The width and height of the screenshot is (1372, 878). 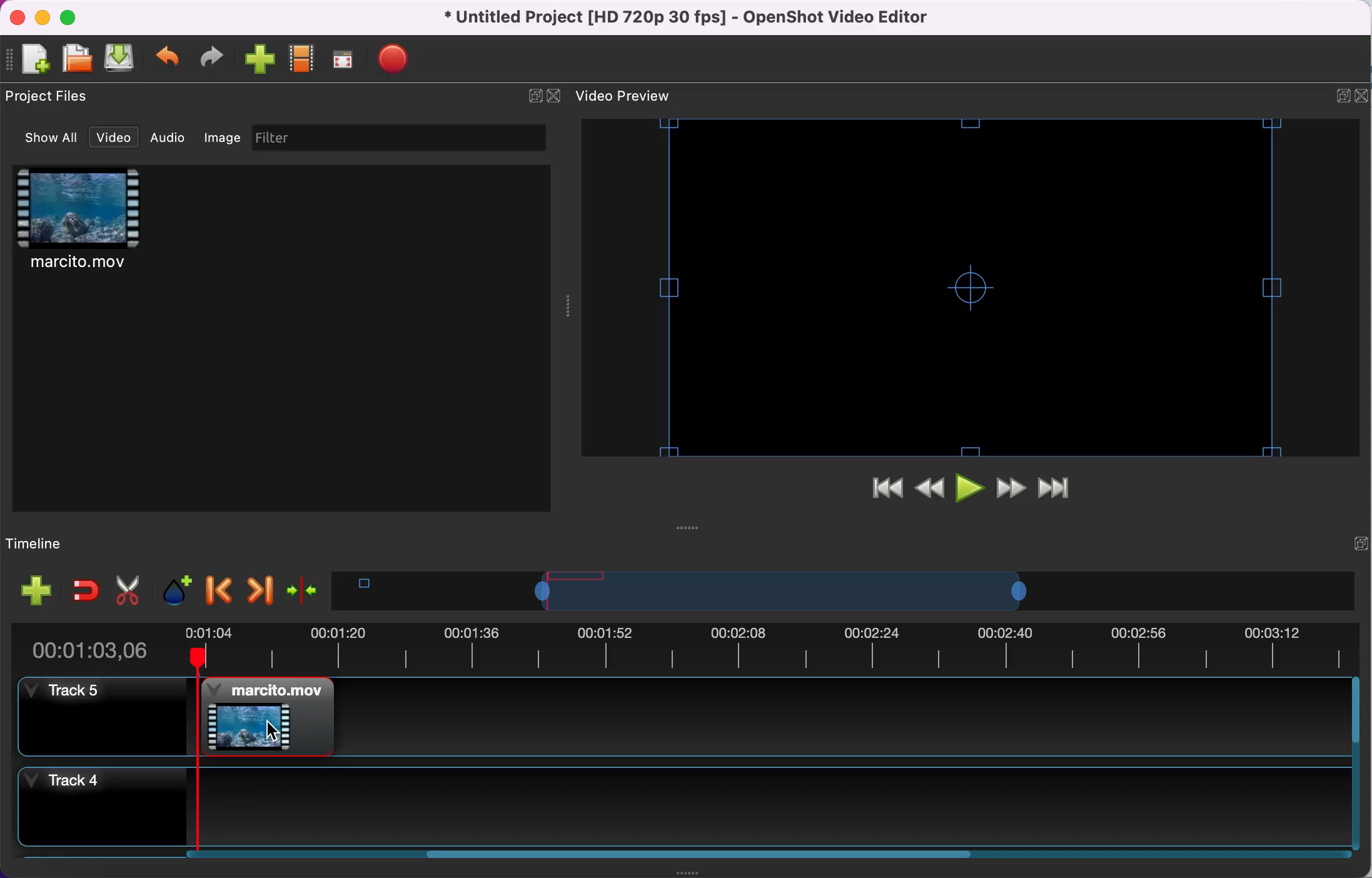 What do you see at coordinates (30, 61) in the screenshot?
I see `new file` at bounding box center [30, 61].